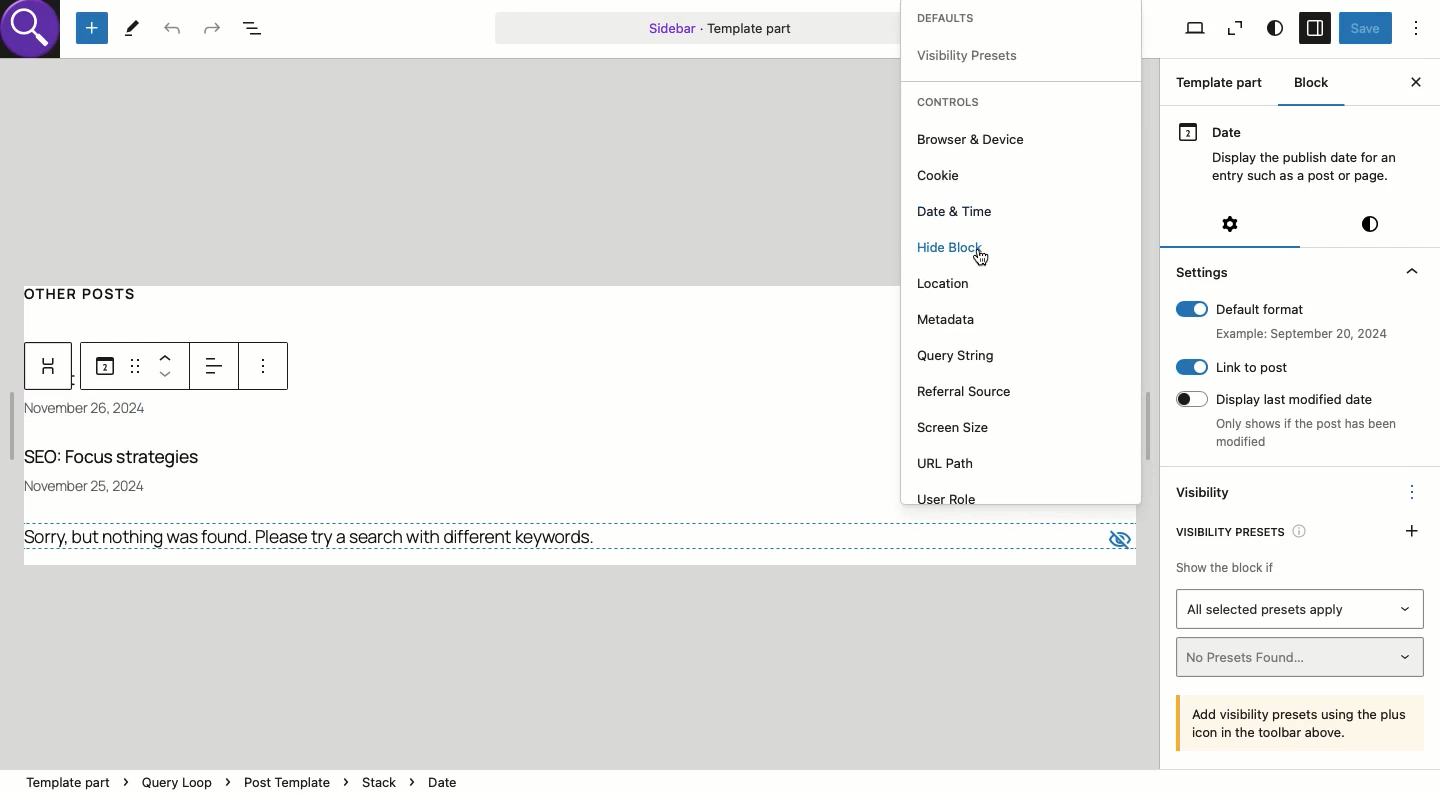  What do you see at coordinates (133, 364) in the screenshot?
I see `Draf` at bounding box center [133, 364].